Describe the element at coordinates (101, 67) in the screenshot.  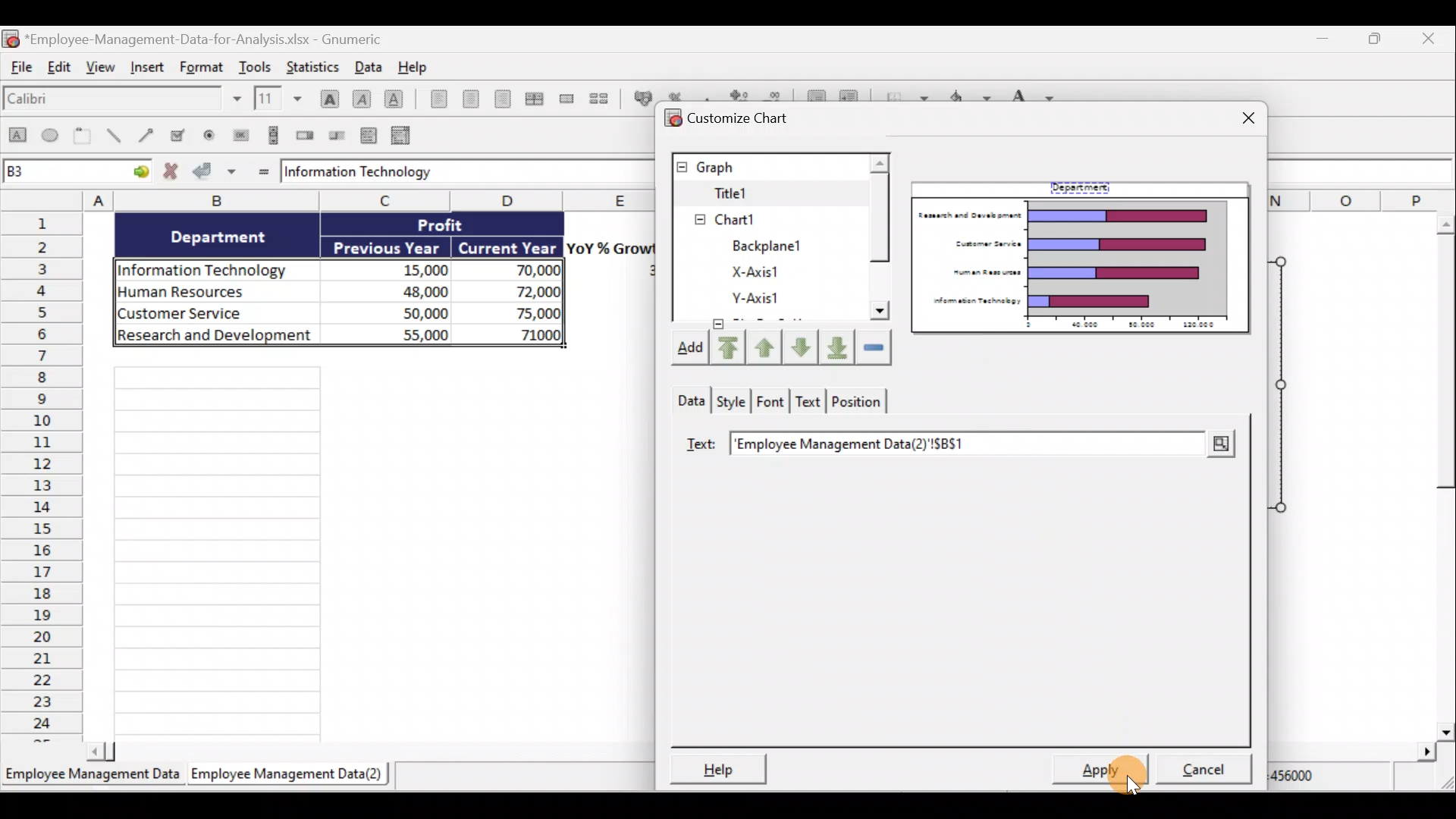
I see `View` at that location.